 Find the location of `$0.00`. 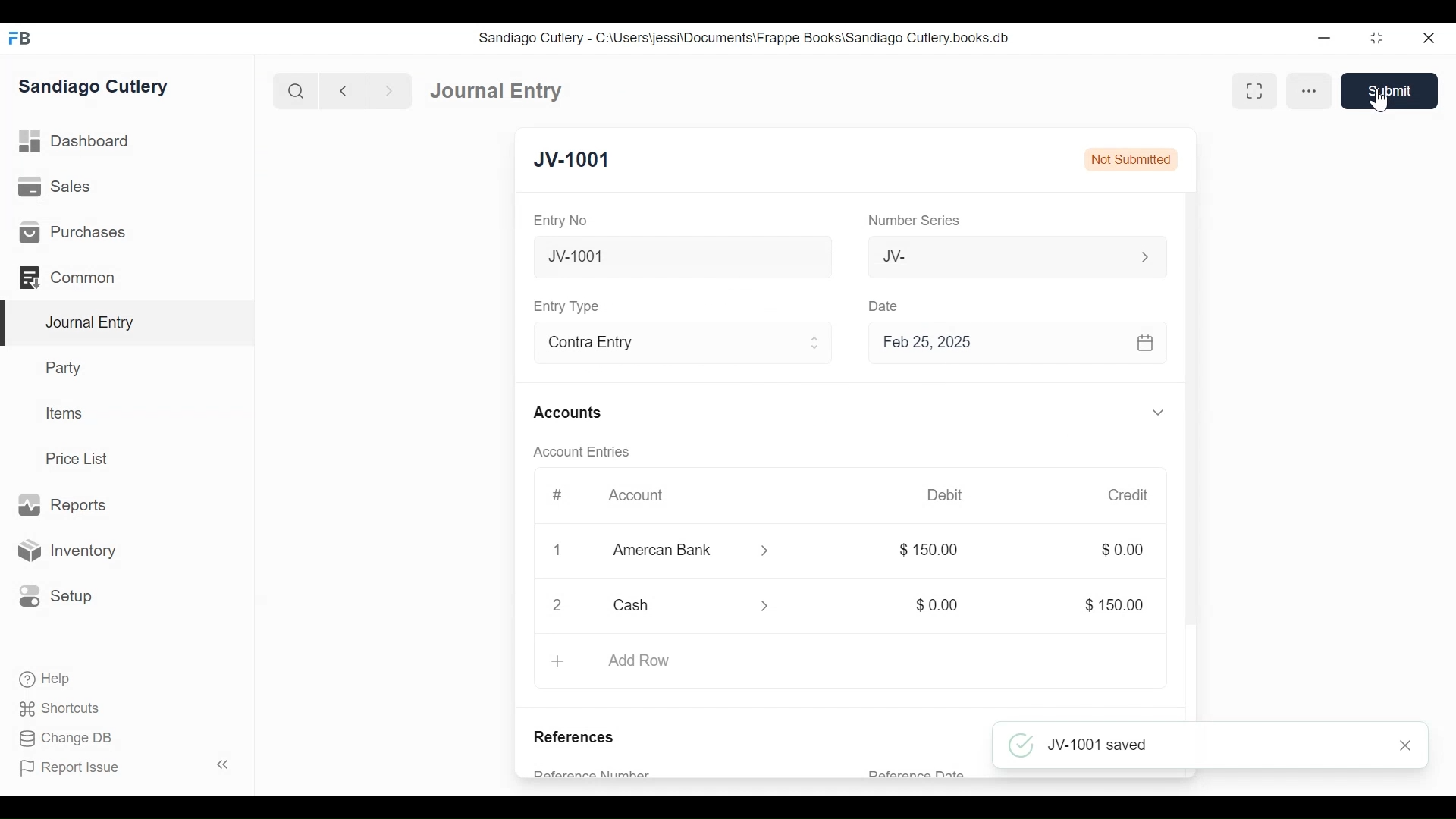

$0.00 is located at coordinates (1122, 549).